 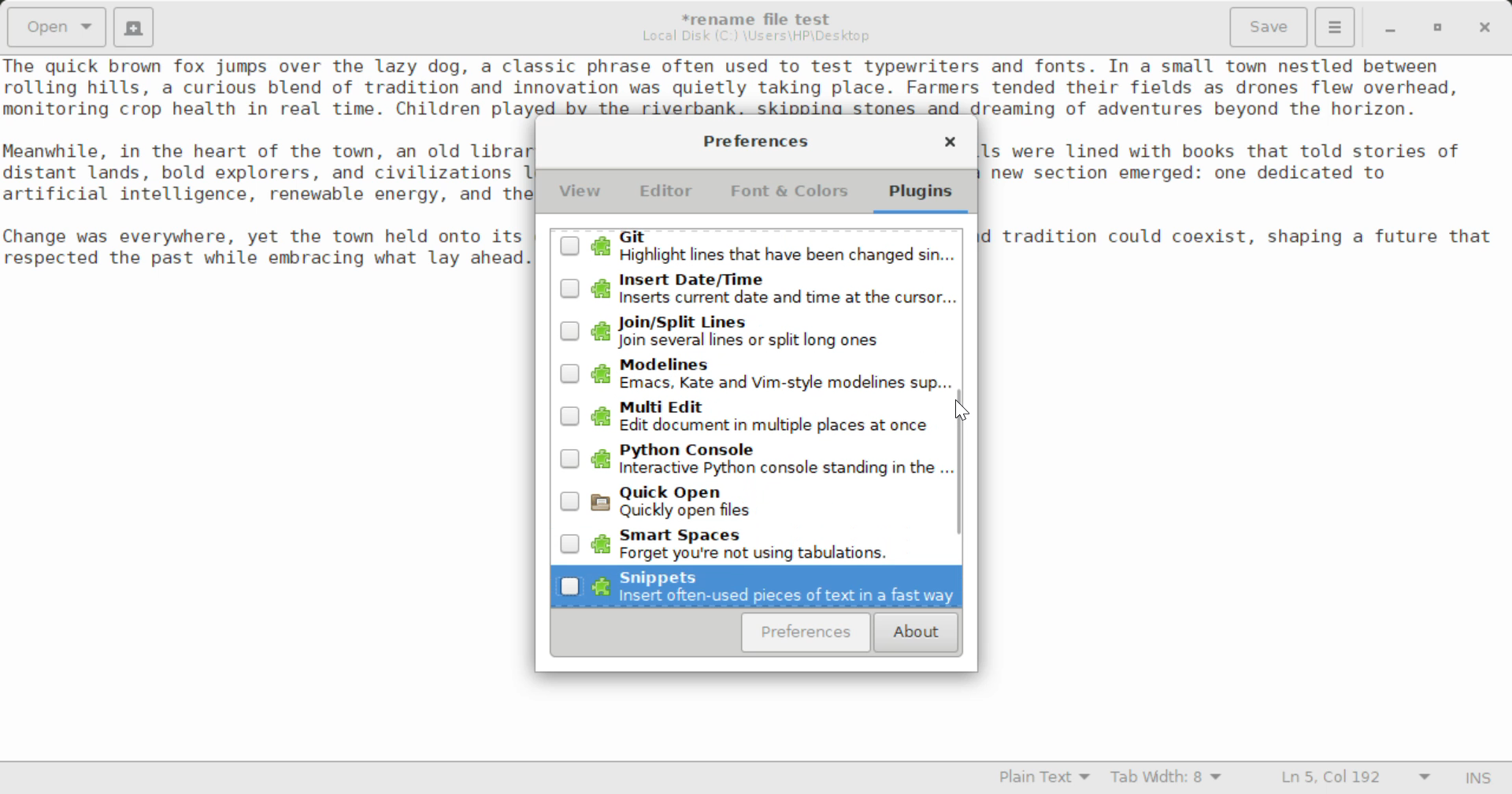 What do you see at coordinates (925, 197) in the screenshot?
I see `Plugins Tab Selected` at bounding box center [925, 197].